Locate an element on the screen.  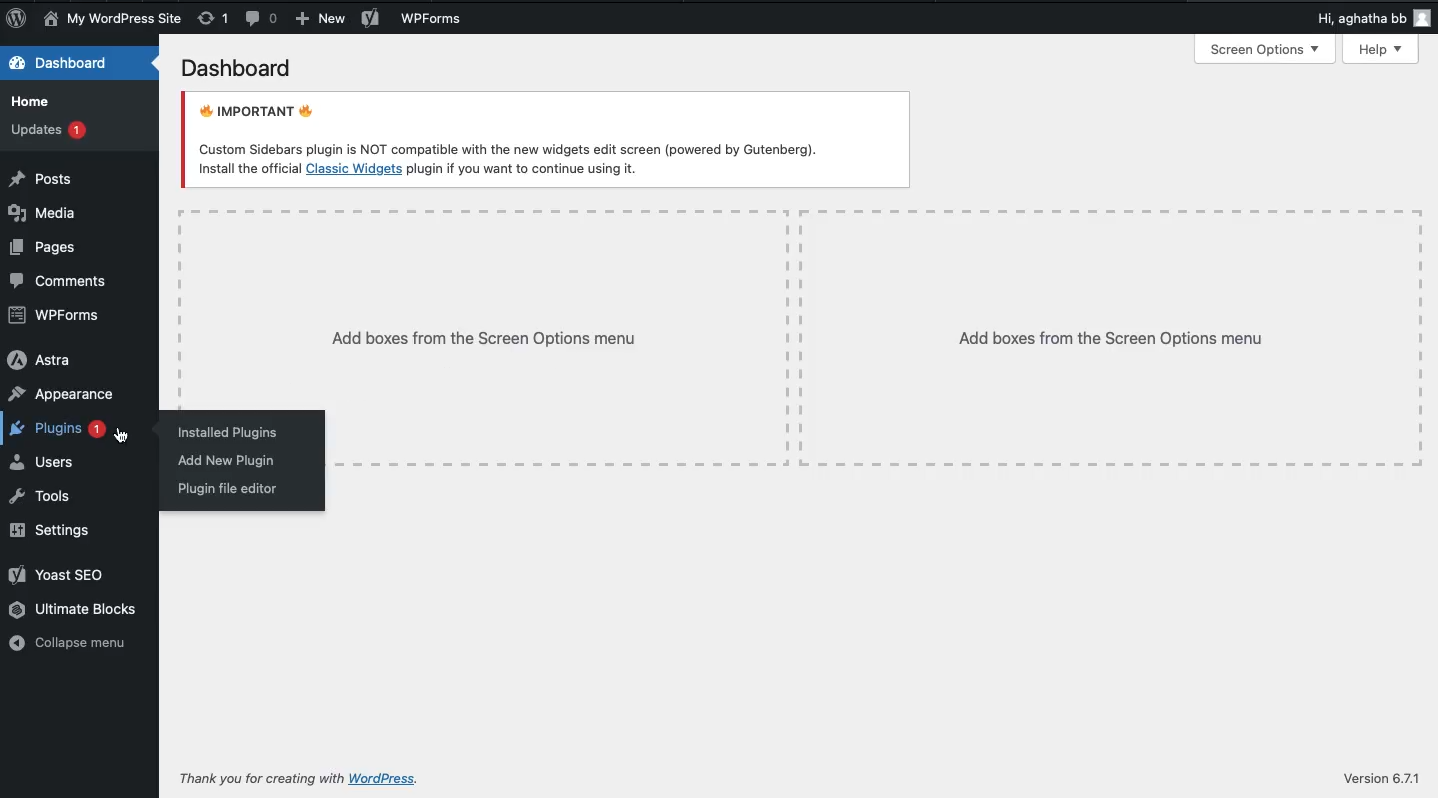
Settings is located at coordinates (53, 532).